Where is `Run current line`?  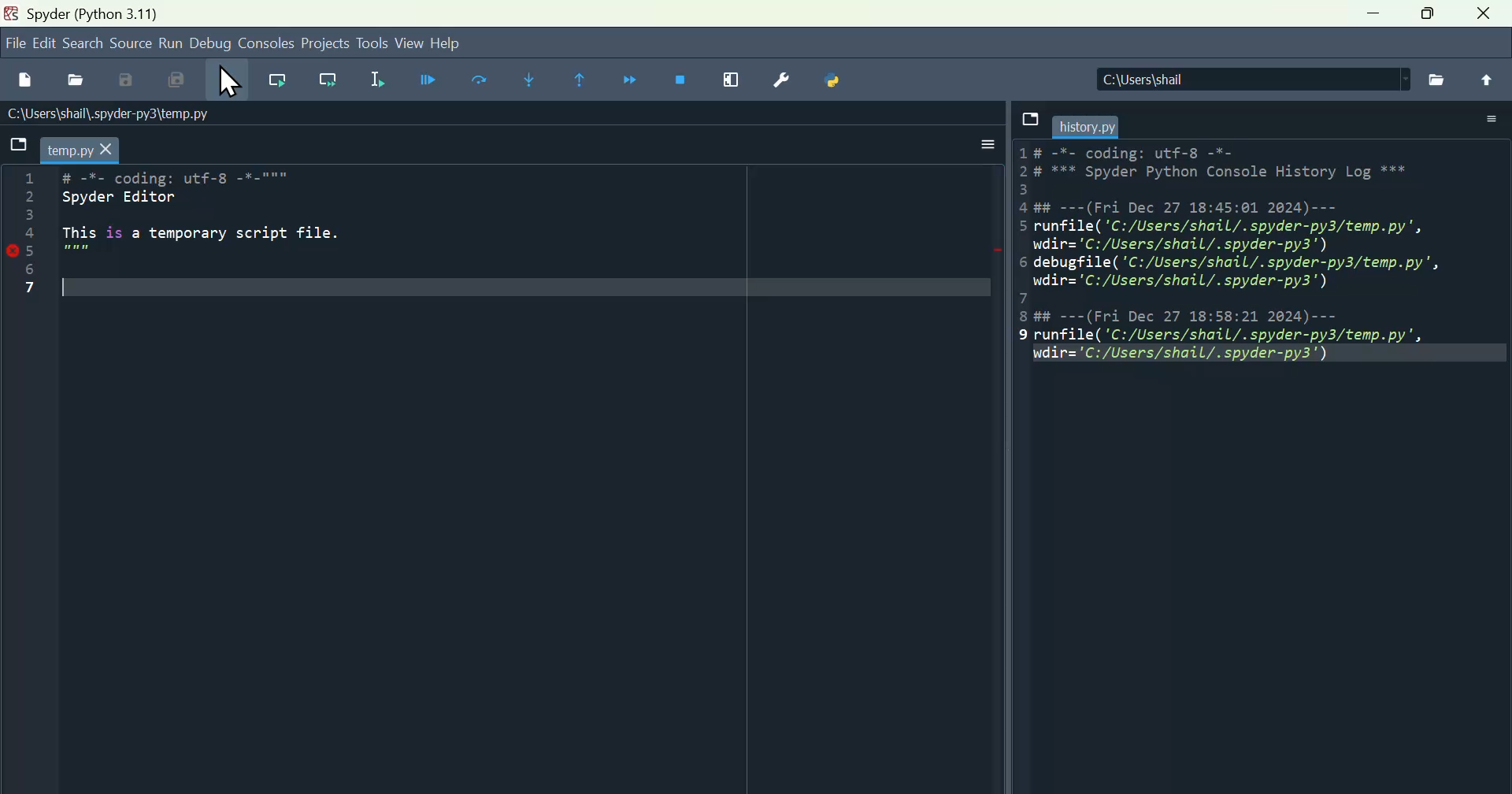
Run current line is located at coordinates (286, 80).